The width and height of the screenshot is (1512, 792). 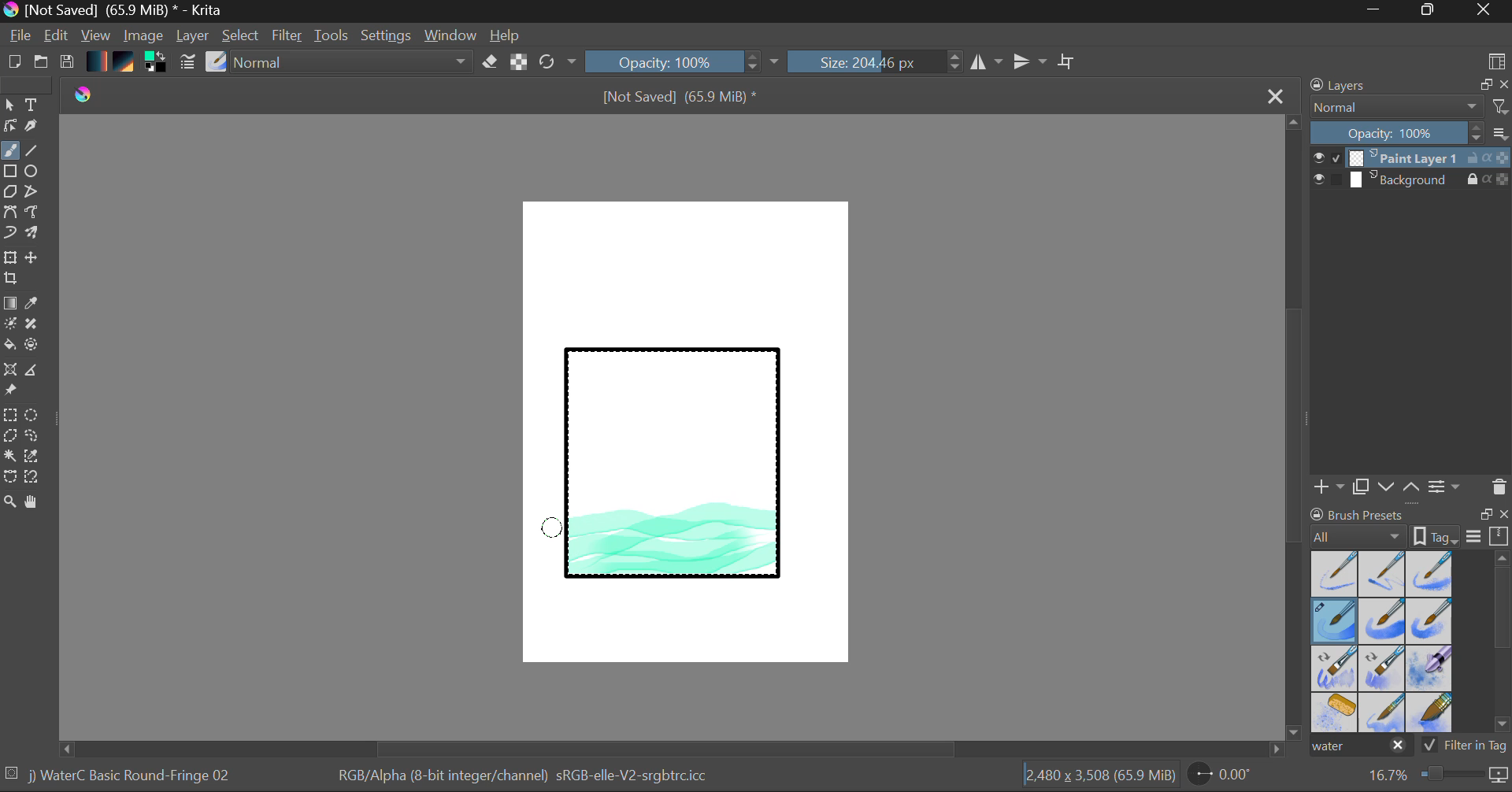 What do you see at coordinates (1379, 11) in the screenshot?
I see `Restore Down` at bounding box center [1379, 11].